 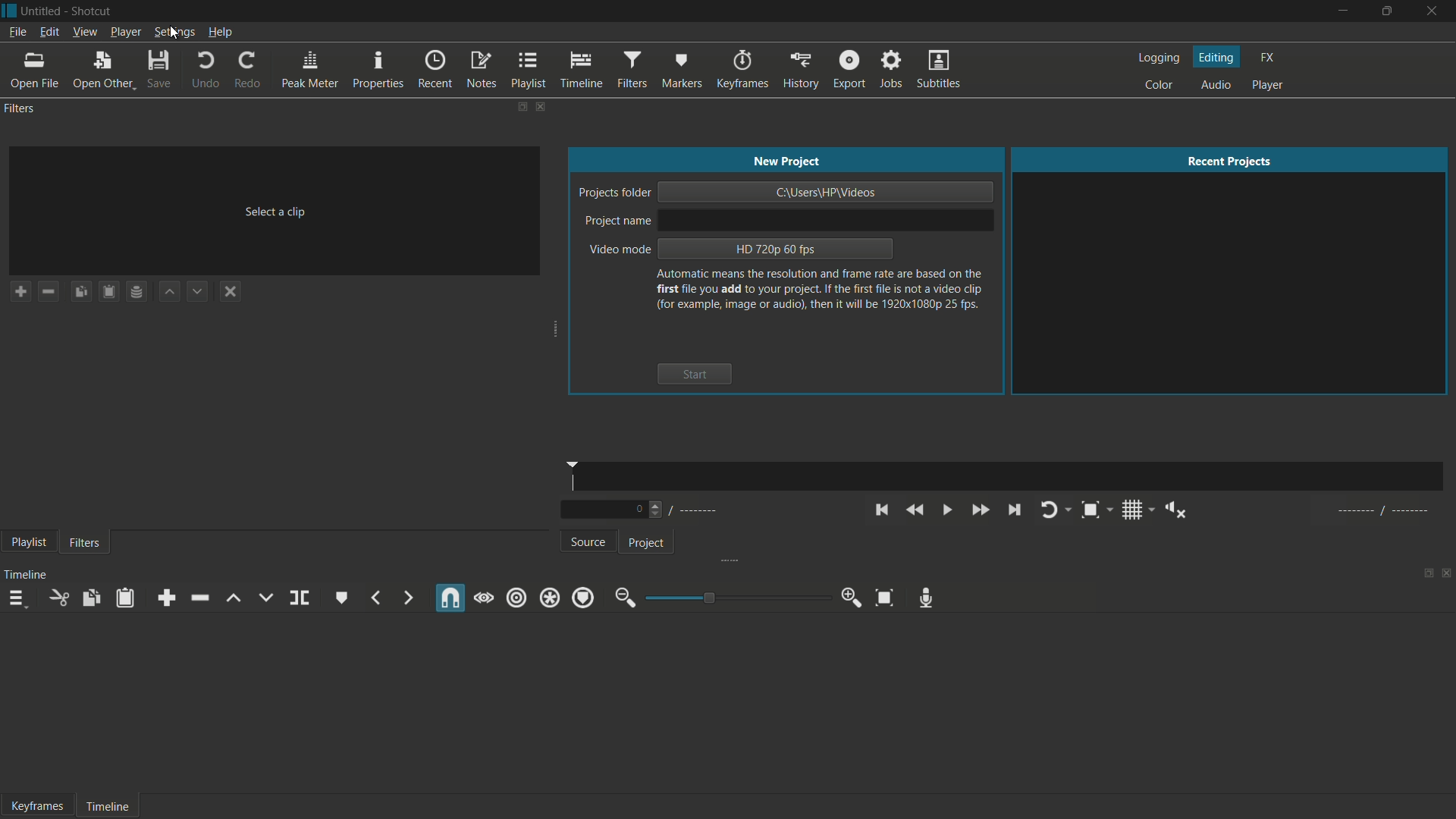 What do you see at coordinates (124, 598) in the screenshot?
I see `paste` at bounding box center [124, 598].